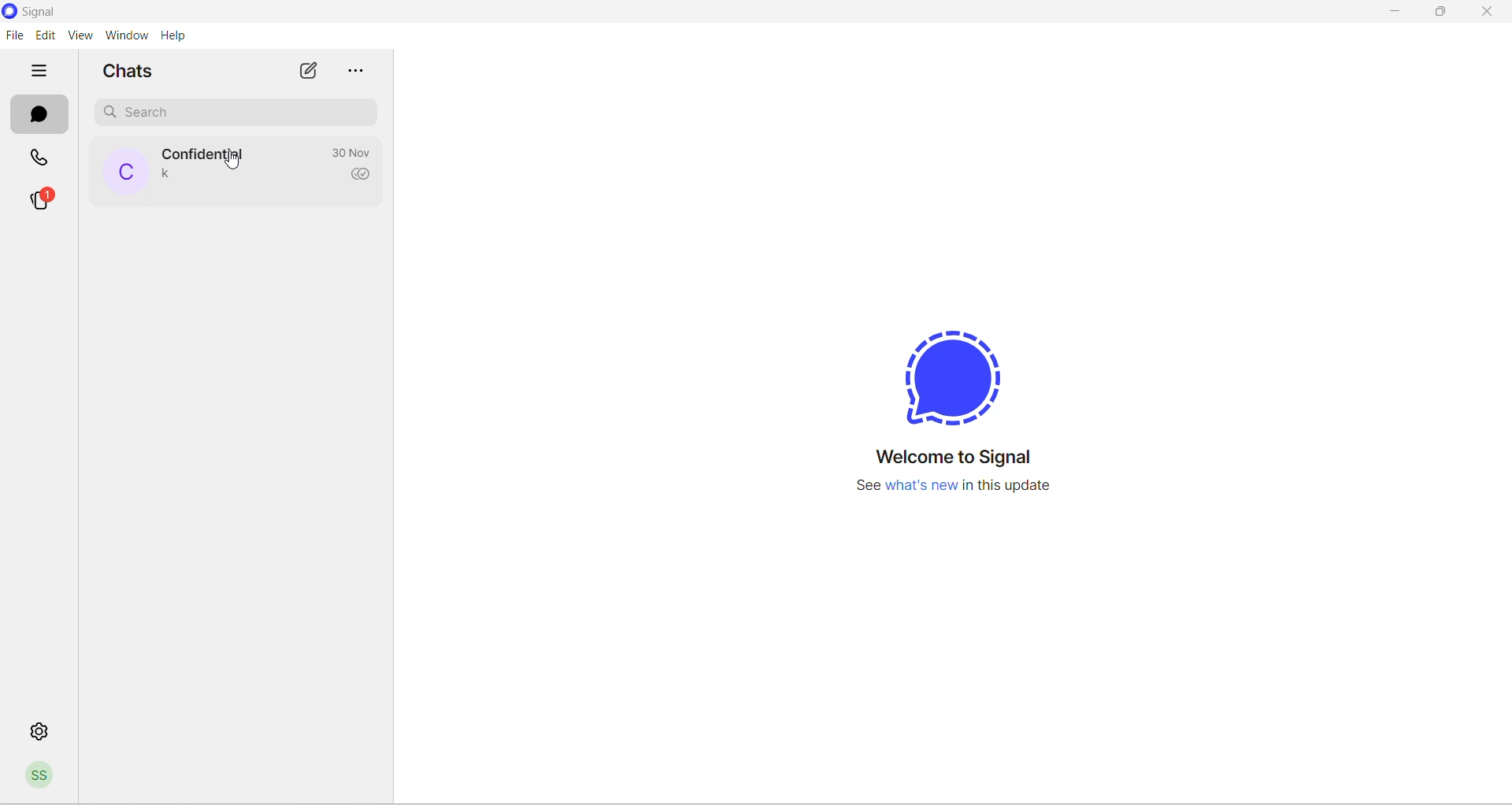  Describe the element at coordinates (124, 35) in the screenshot. I see `window` at that location.